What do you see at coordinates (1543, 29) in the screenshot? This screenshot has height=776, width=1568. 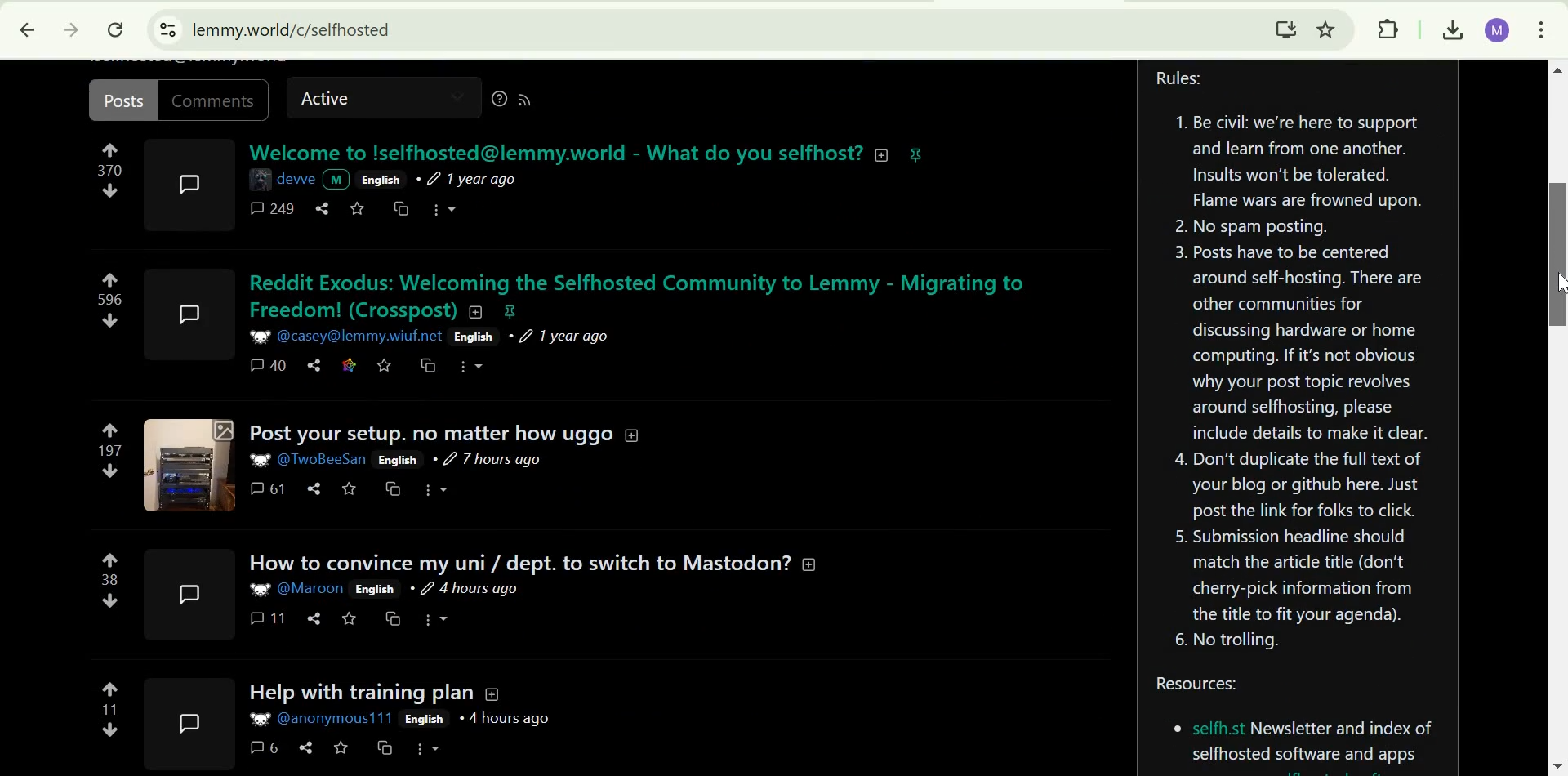 I see `customize and control google chrome` at bounding box center [1543, 29].